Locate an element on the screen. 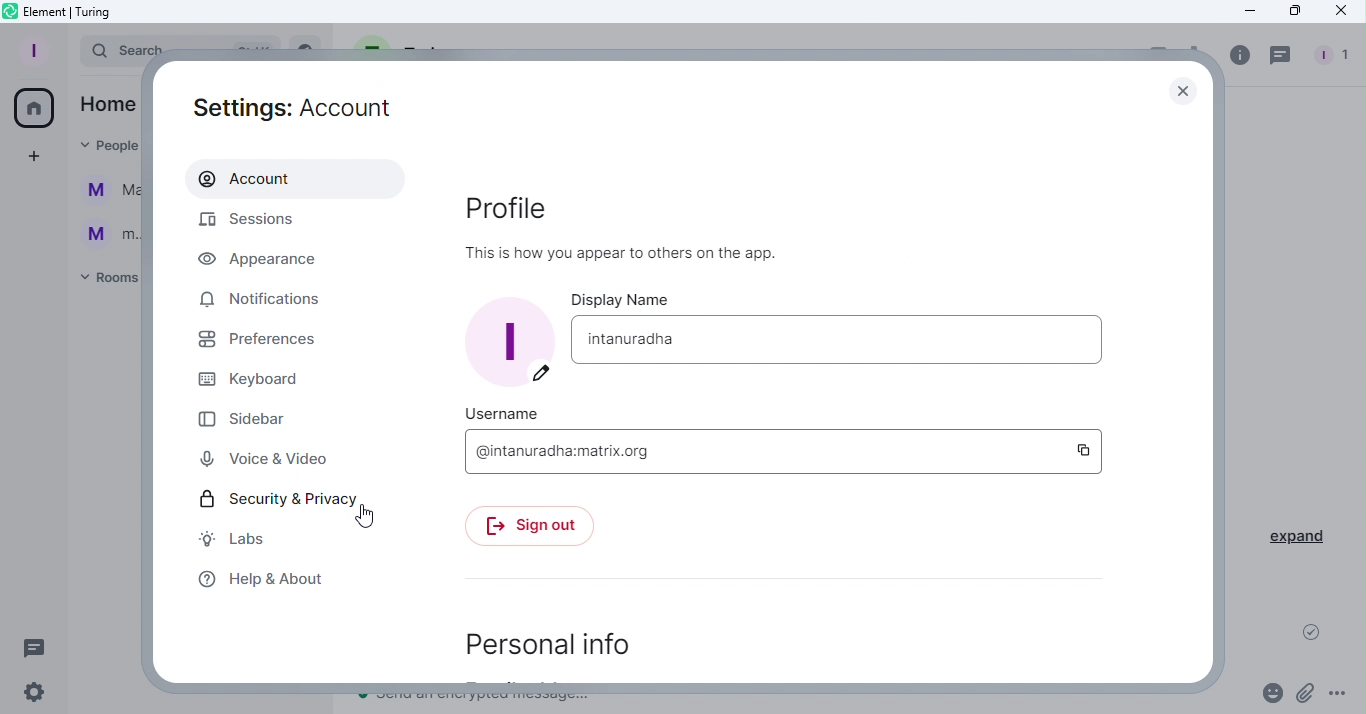 The width and height of the screenshot is (1366, 714). Home is located at coordinates (107, 103).